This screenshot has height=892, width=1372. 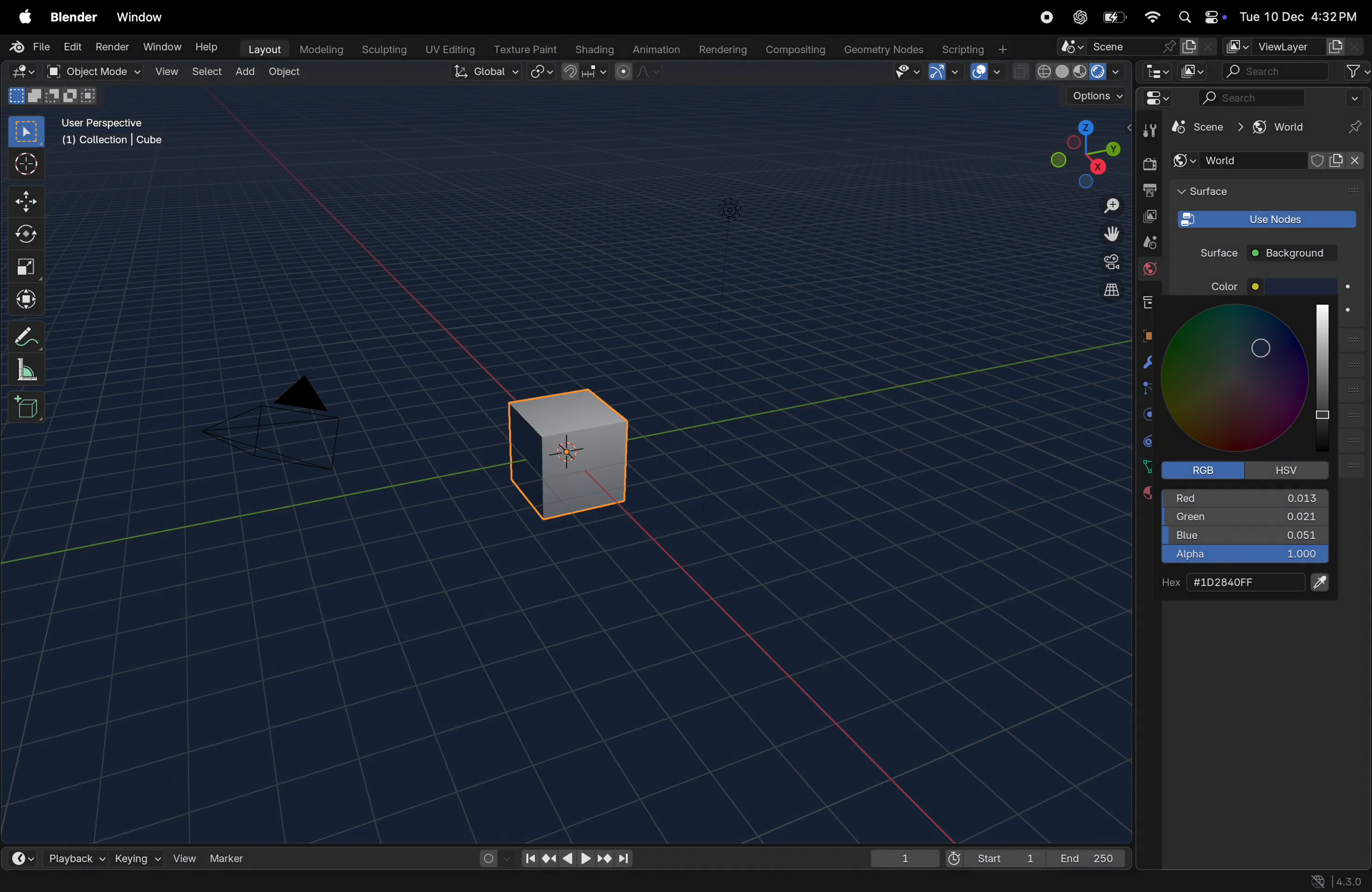 I want to click on Rgb, so click(x=1208, y=470).